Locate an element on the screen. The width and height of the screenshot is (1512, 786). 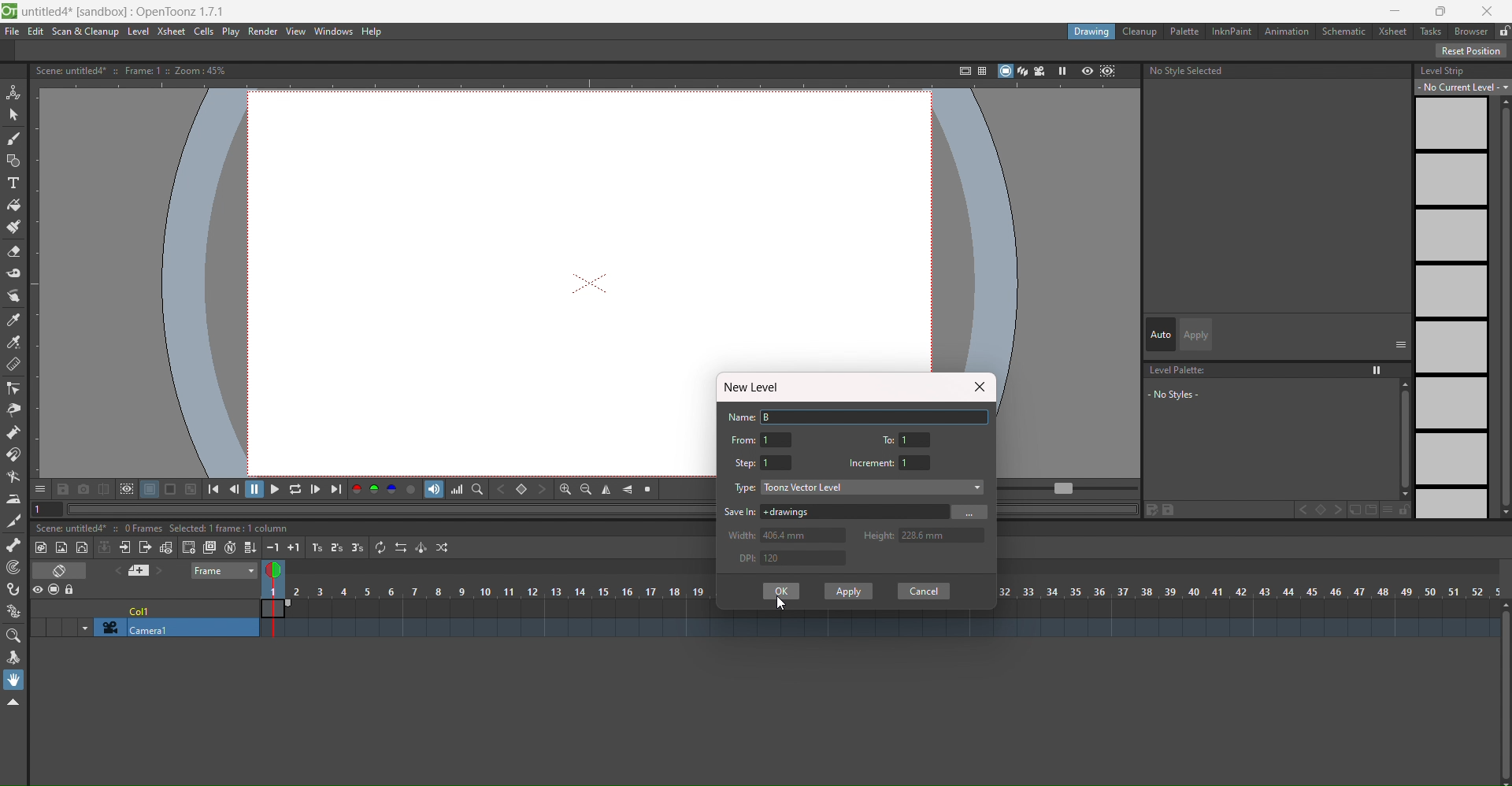
ruler tool is located at coordinates (13, 365).